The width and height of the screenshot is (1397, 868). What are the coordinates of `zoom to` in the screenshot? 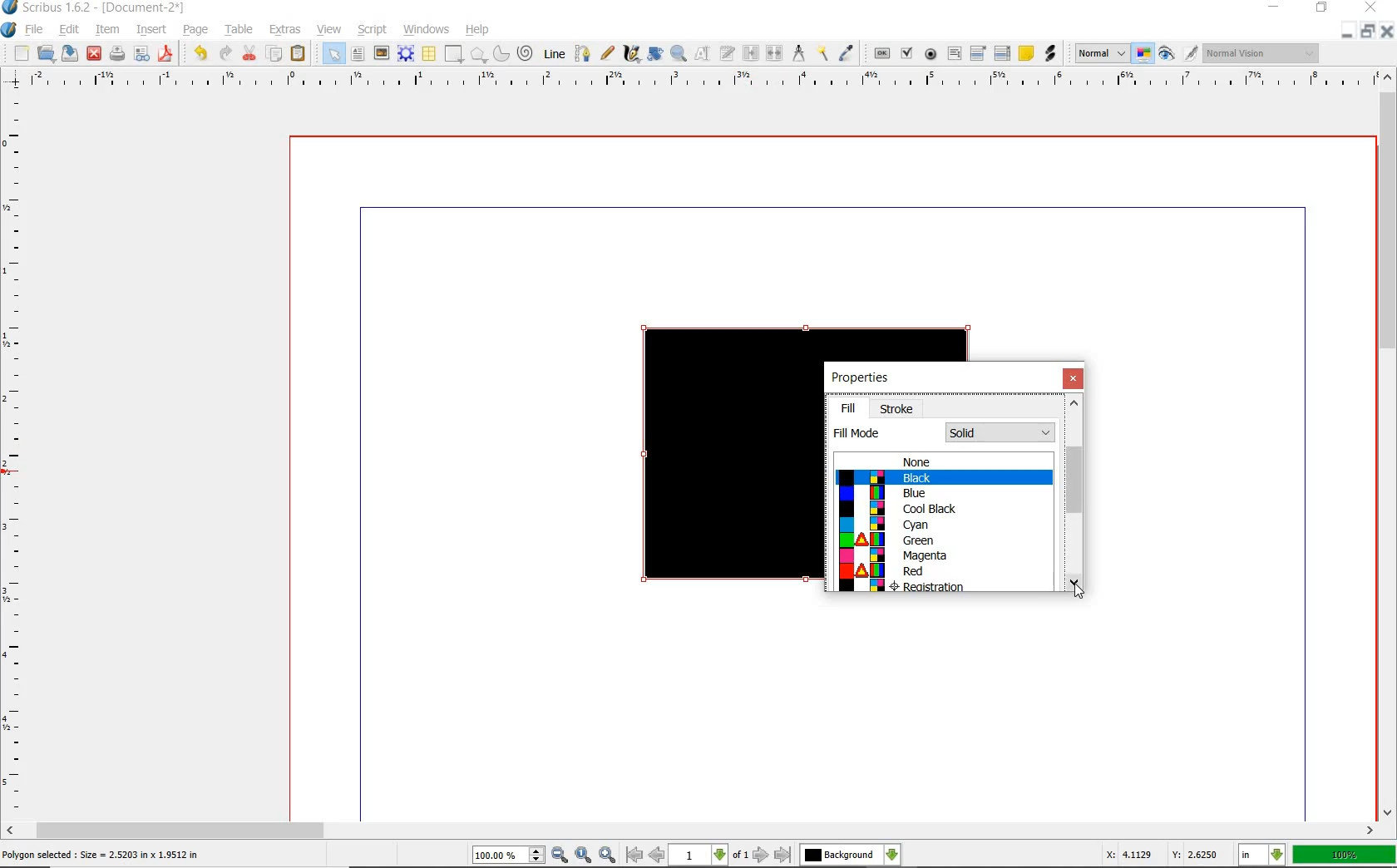 It's located at (583, 855).